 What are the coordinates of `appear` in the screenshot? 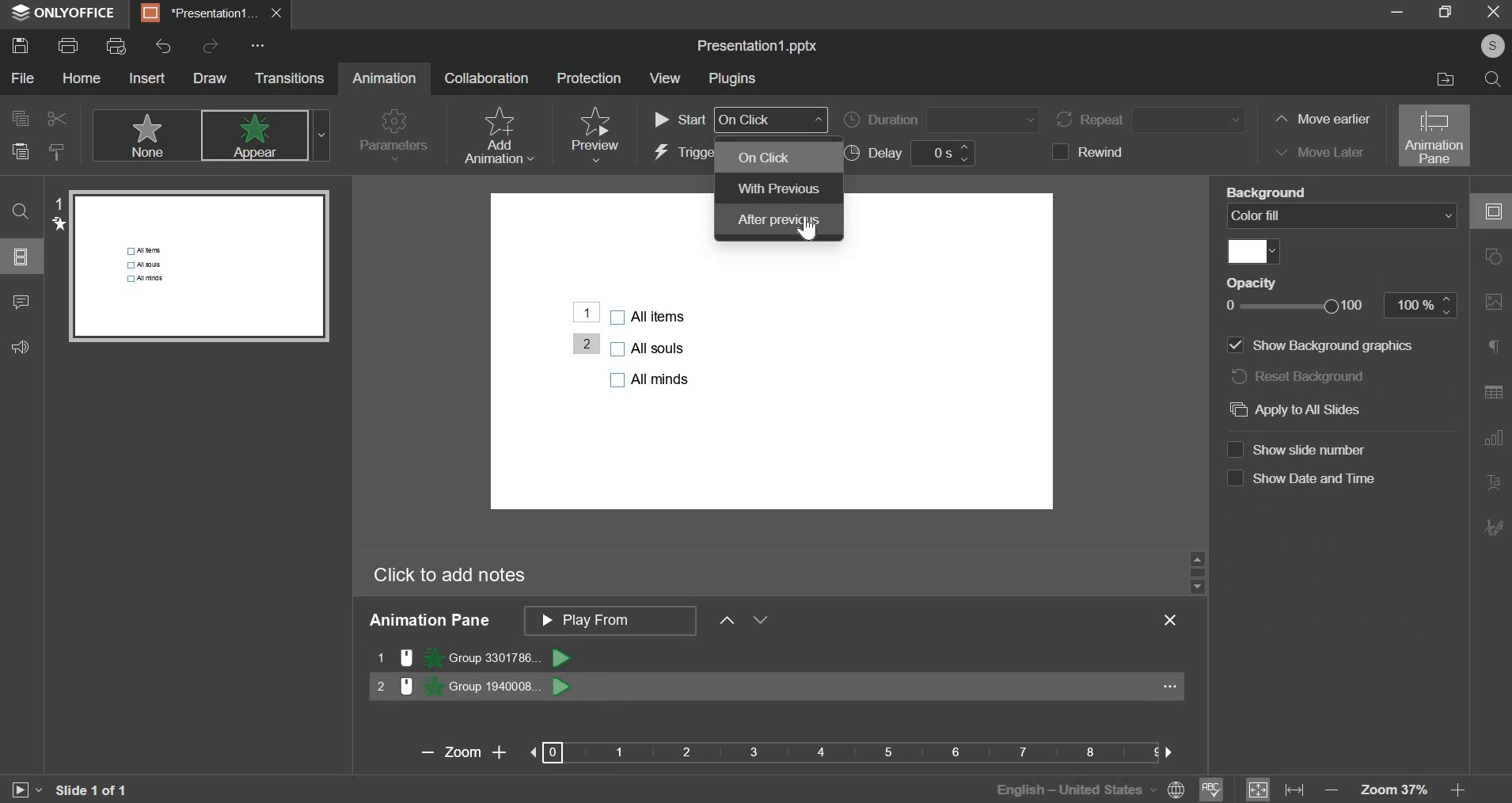 It's located at (264, 136).